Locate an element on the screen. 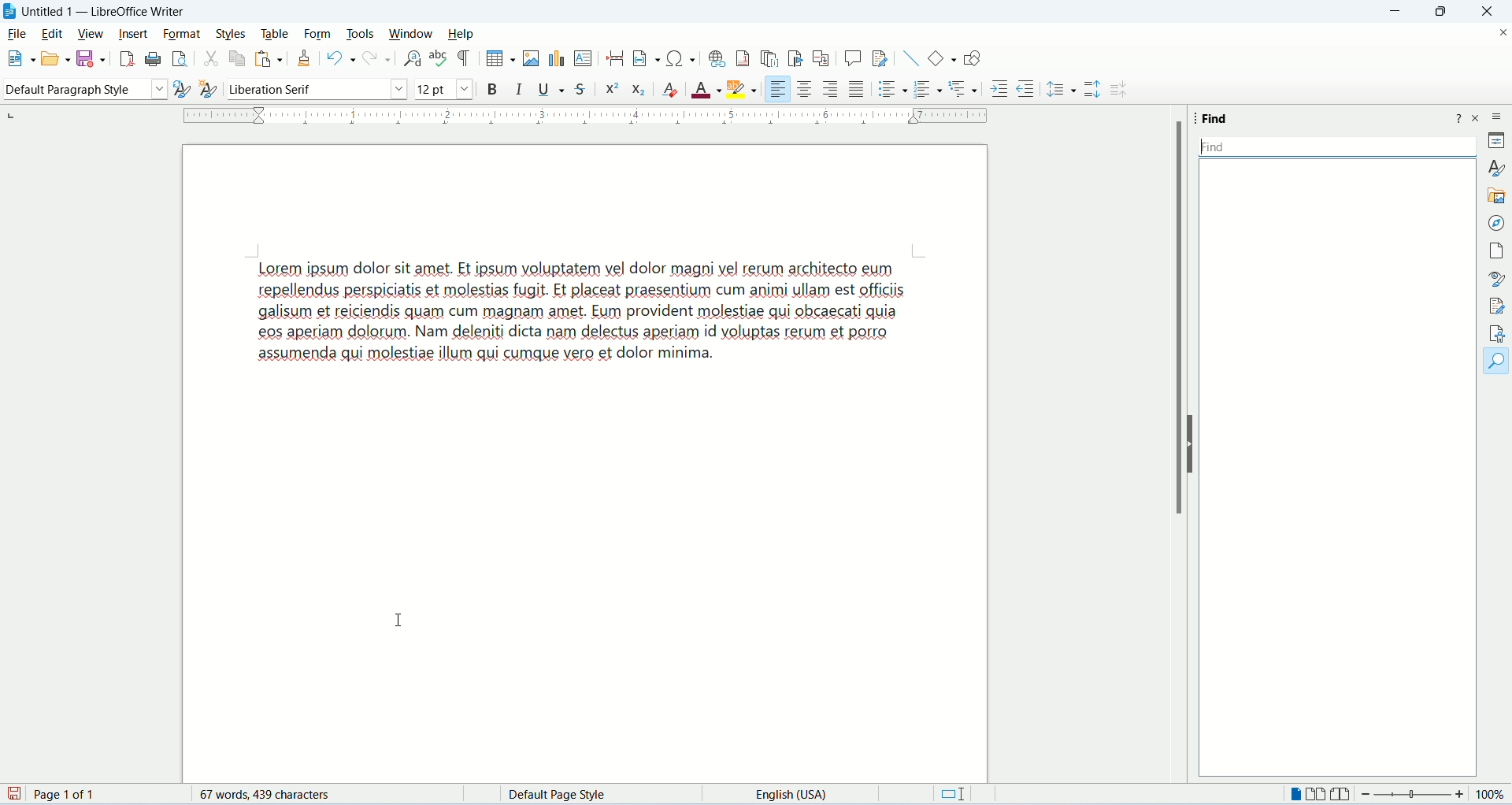 This screenshot has width=1512, height=805. align right is located at coordinates (831, 90).